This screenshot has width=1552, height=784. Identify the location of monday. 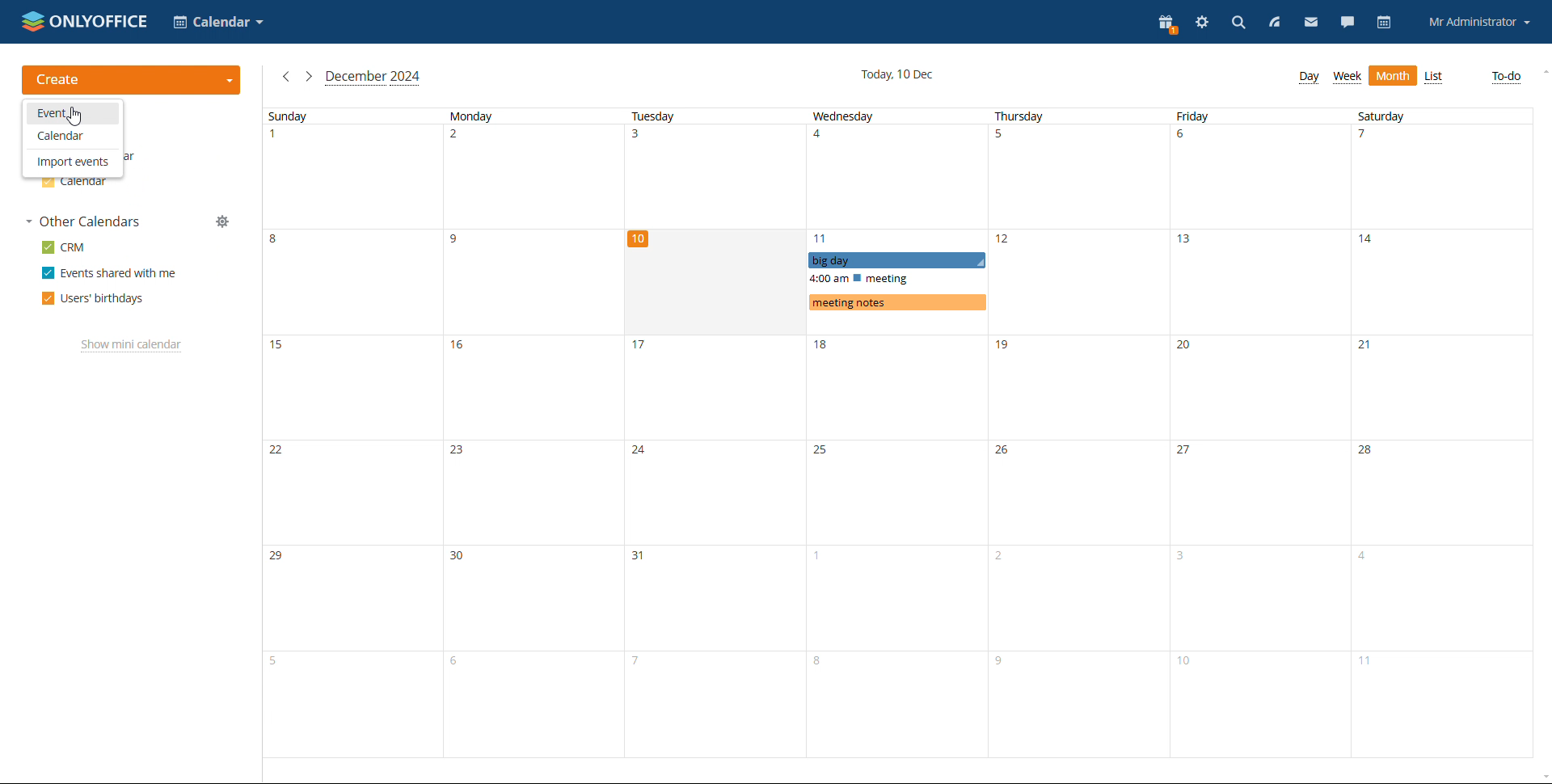
(533, 432).